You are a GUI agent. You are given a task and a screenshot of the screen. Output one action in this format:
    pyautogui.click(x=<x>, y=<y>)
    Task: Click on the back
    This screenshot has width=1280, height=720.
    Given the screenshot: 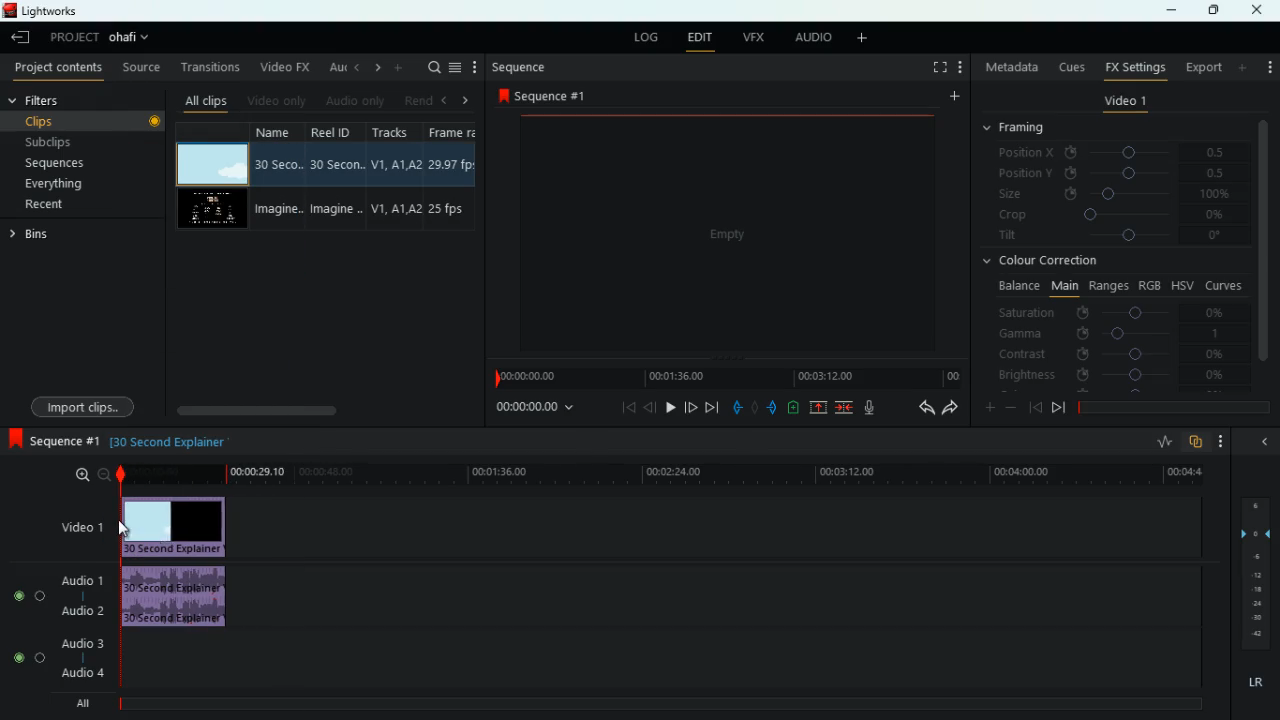 What is the action you would take?
    pyautogui.click(x=650, y=407)
    